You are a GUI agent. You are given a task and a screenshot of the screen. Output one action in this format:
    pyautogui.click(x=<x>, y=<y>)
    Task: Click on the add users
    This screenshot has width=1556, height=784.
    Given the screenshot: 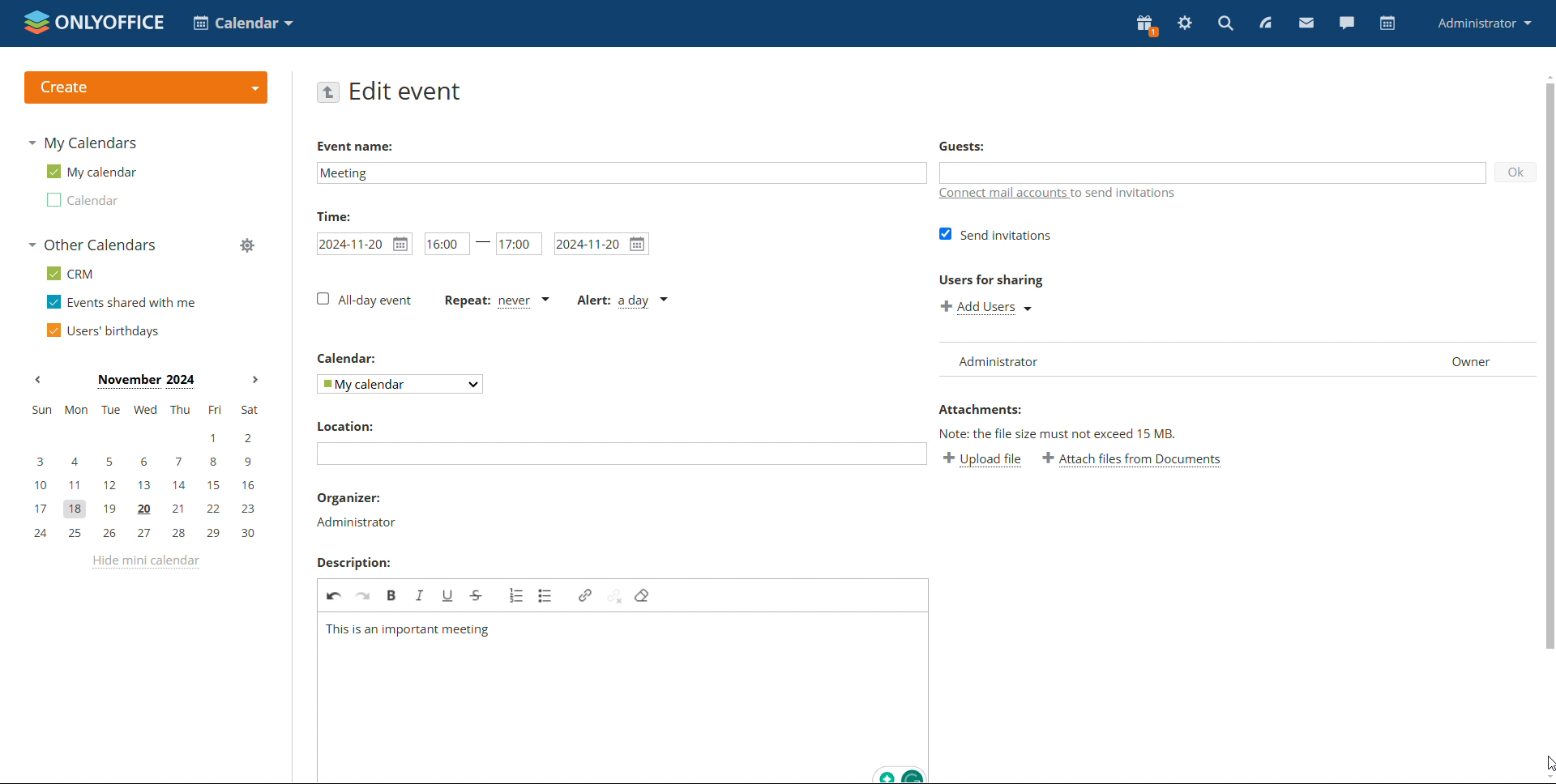 What is the action you would take?
    pyautogui.click(x=985, y=309)
    